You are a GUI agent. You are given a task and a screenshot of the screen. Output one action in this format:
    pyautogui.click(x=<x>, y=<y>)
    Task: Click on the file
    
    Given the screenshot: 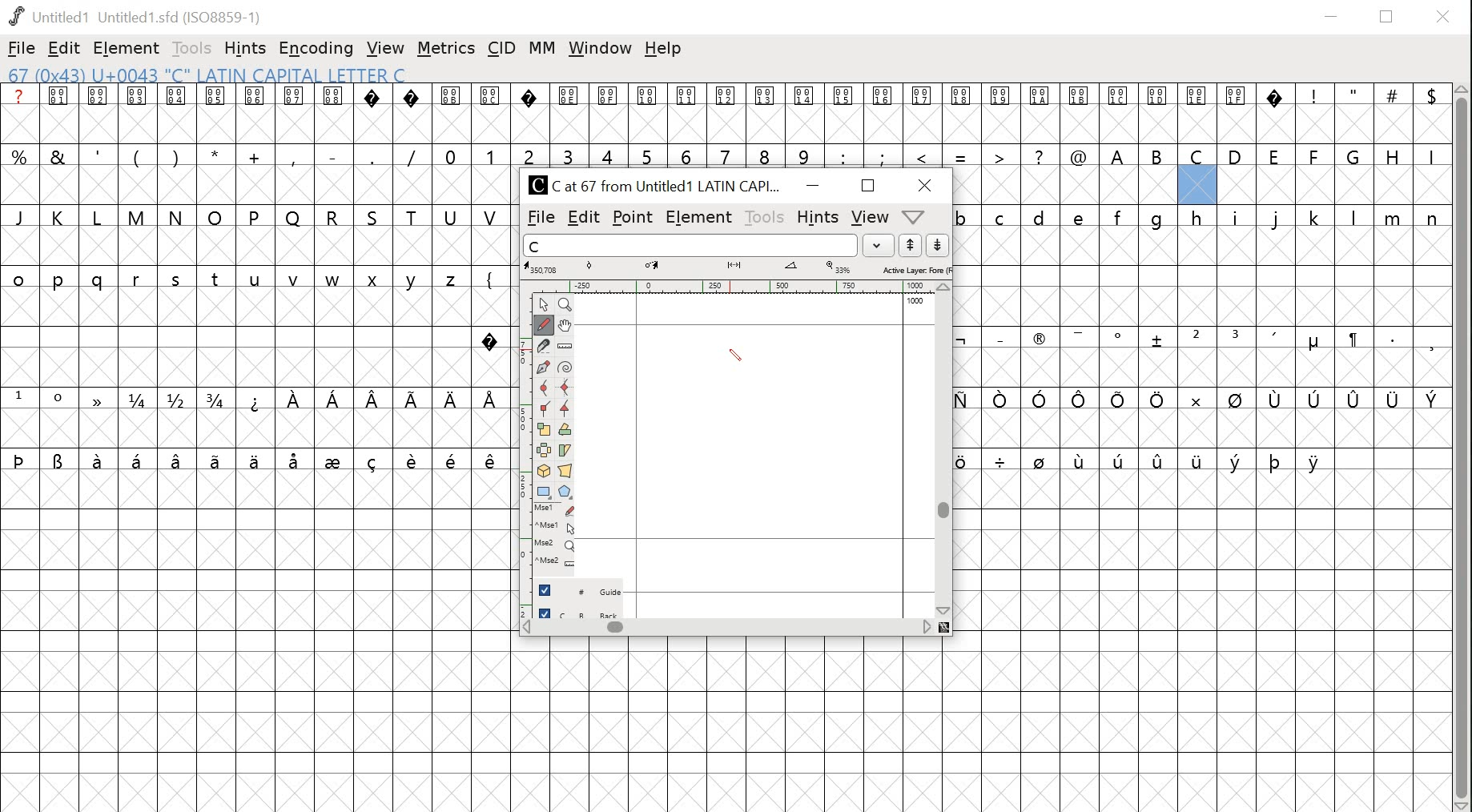 What is the action you would take?
    pyautogui.click(x=537, y=218)
    